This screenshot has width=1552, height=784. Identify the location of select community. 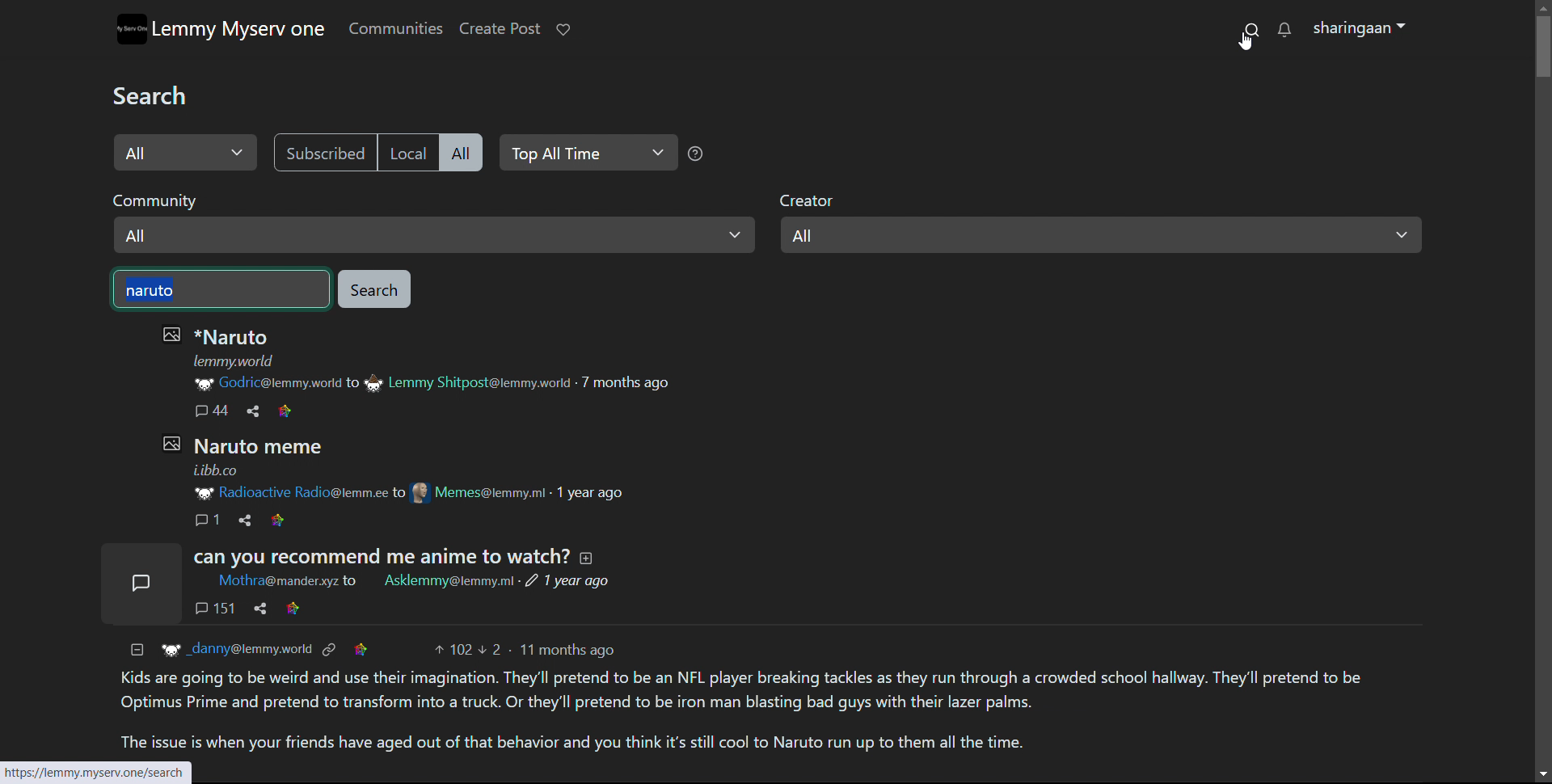
(432, 221).